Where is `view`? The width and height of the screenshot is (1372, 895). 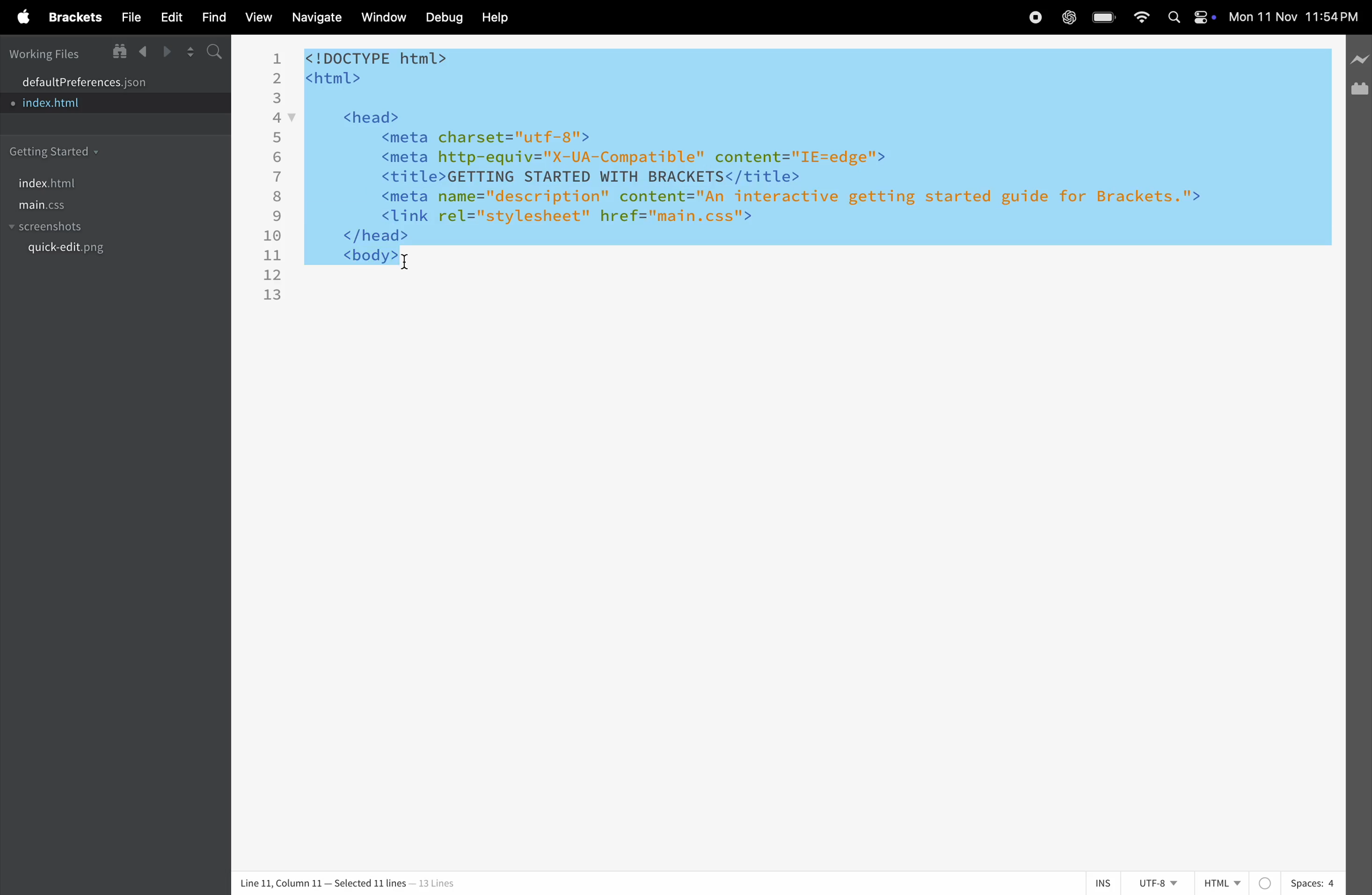
view is located at coordinates (258, 17).